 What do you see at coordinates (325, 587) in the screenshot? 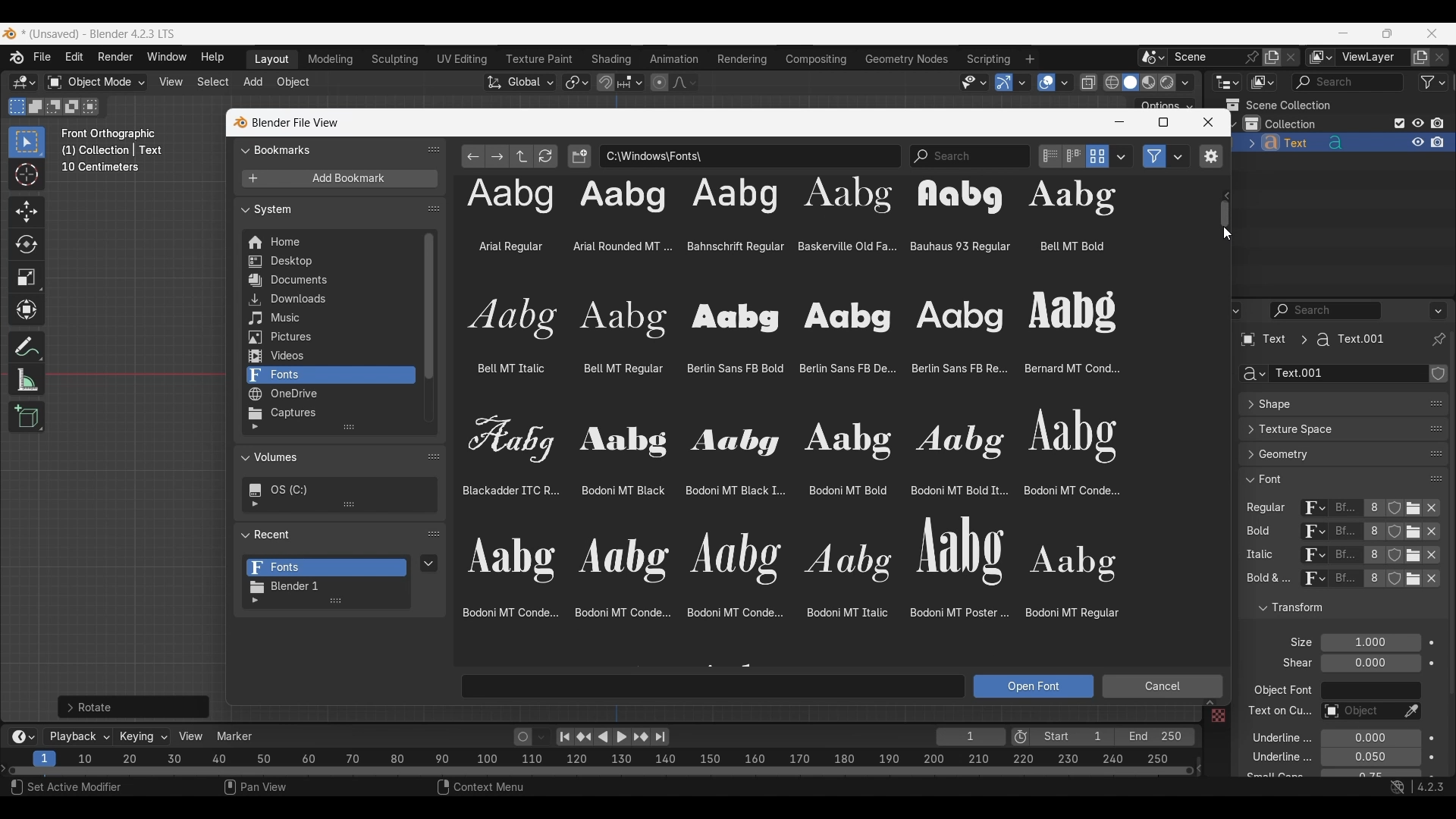
I see `Blender 1 folder` at bounding box center [325, 587].